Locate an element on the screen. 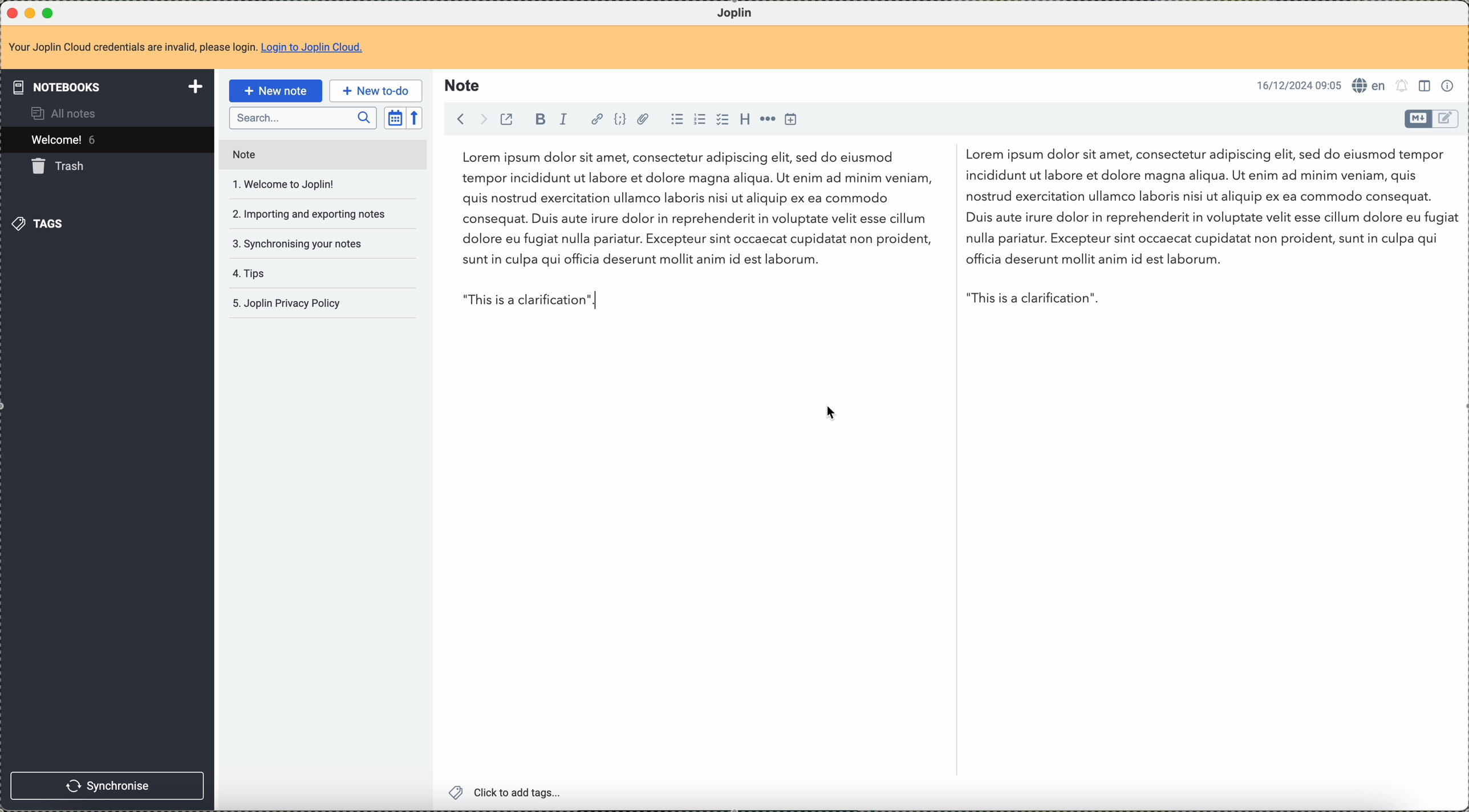 The width and height of the screenshot is (1469, 812). notebooks is located at coordinates (104, 87).